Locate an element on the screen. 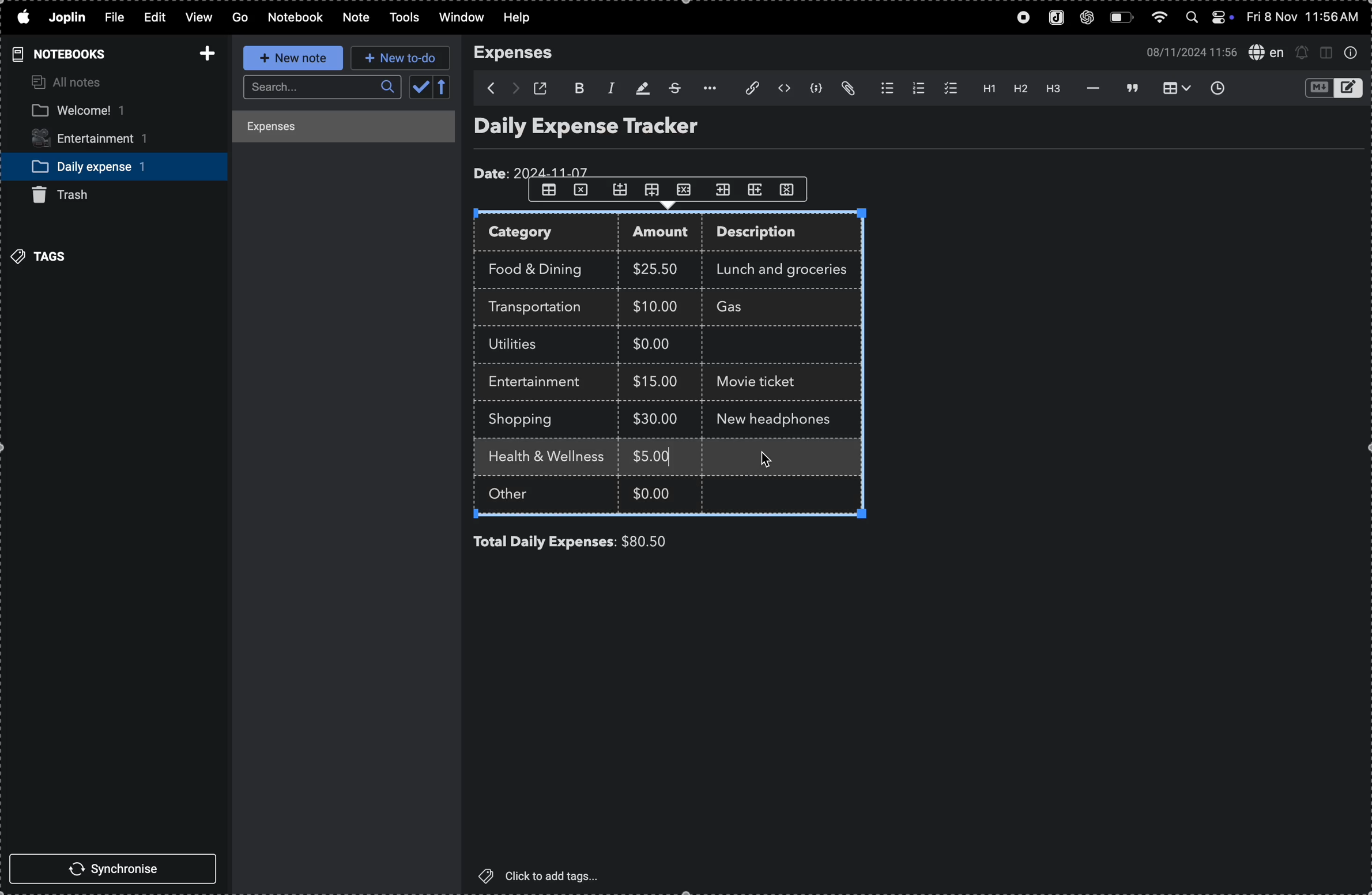 The height and width of the screenshot is (895, 1372). all notes is located at coordinates (69, 83).